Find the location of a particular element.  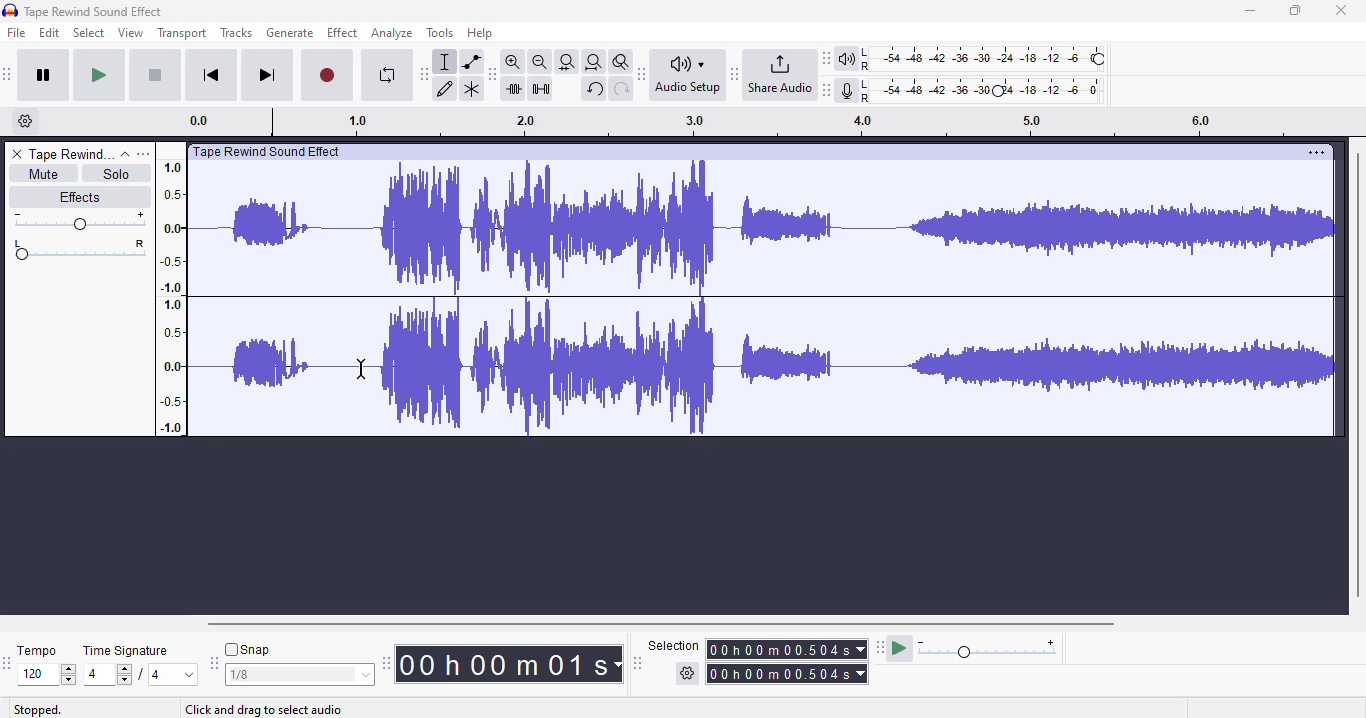

undo is located at coordinates (594, 89).